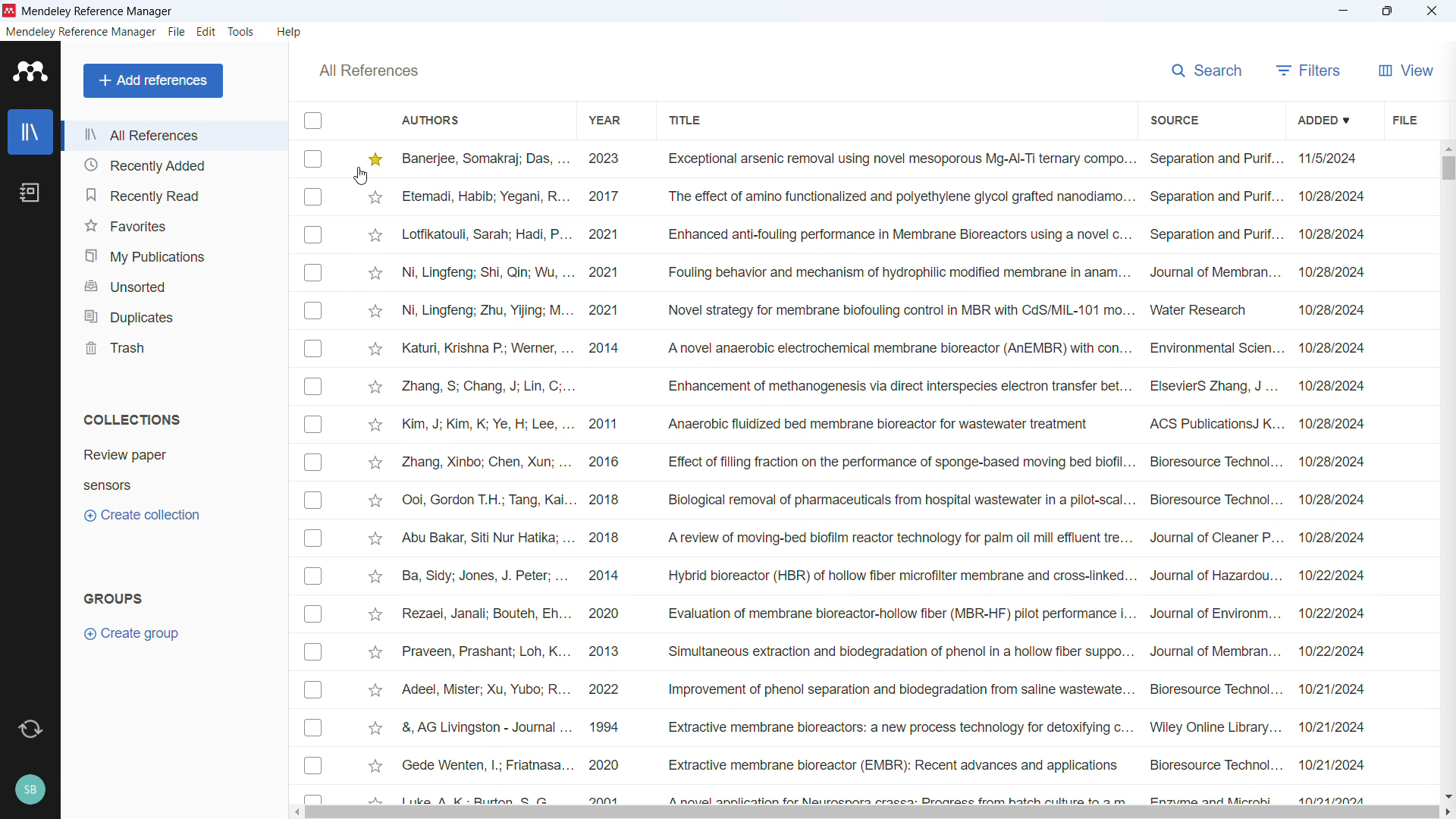 The image size is (1456, 819). I want to click on Vertical scroll bar , so click(1448, 169).